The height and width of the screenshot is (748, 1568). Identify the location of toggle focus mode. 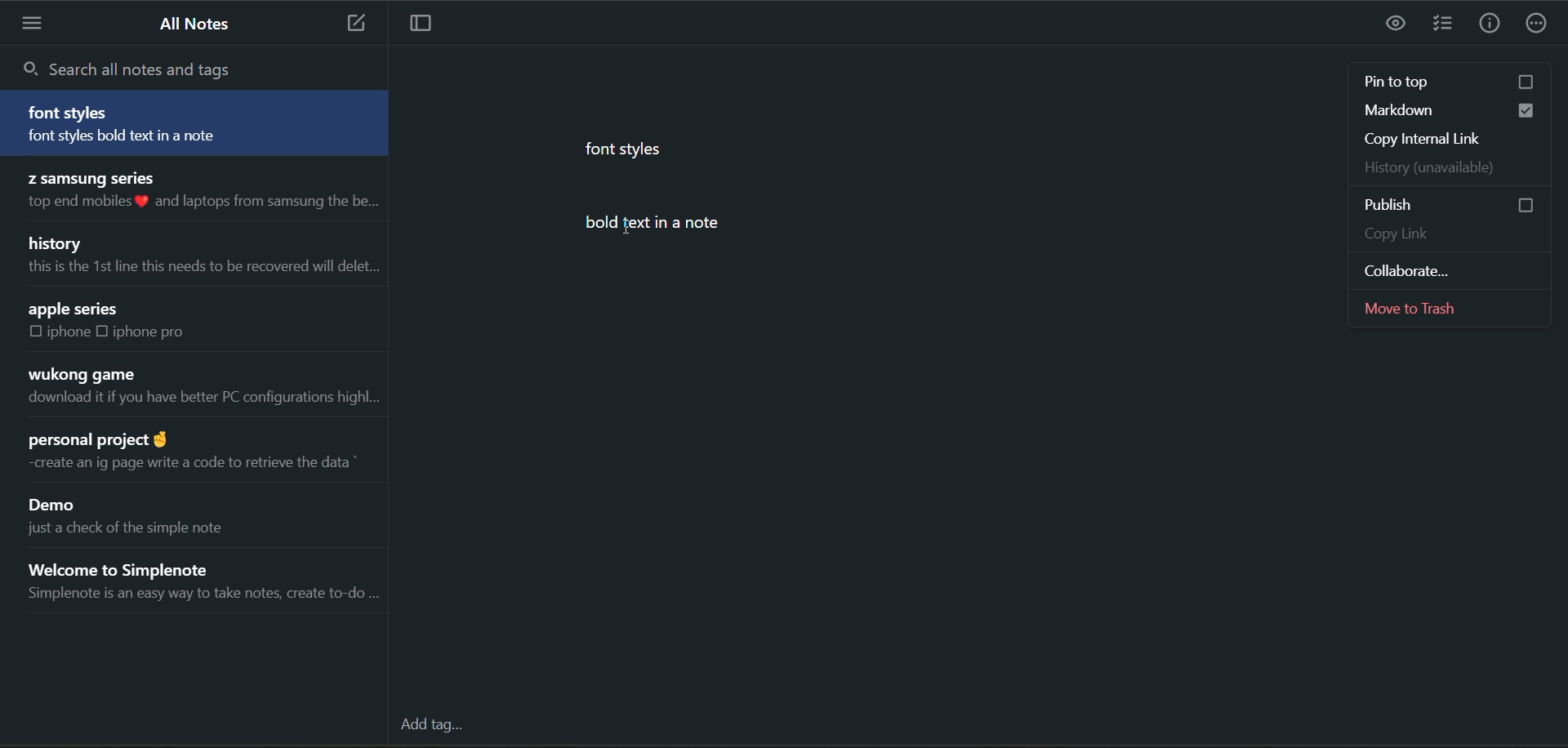
(429, 24).